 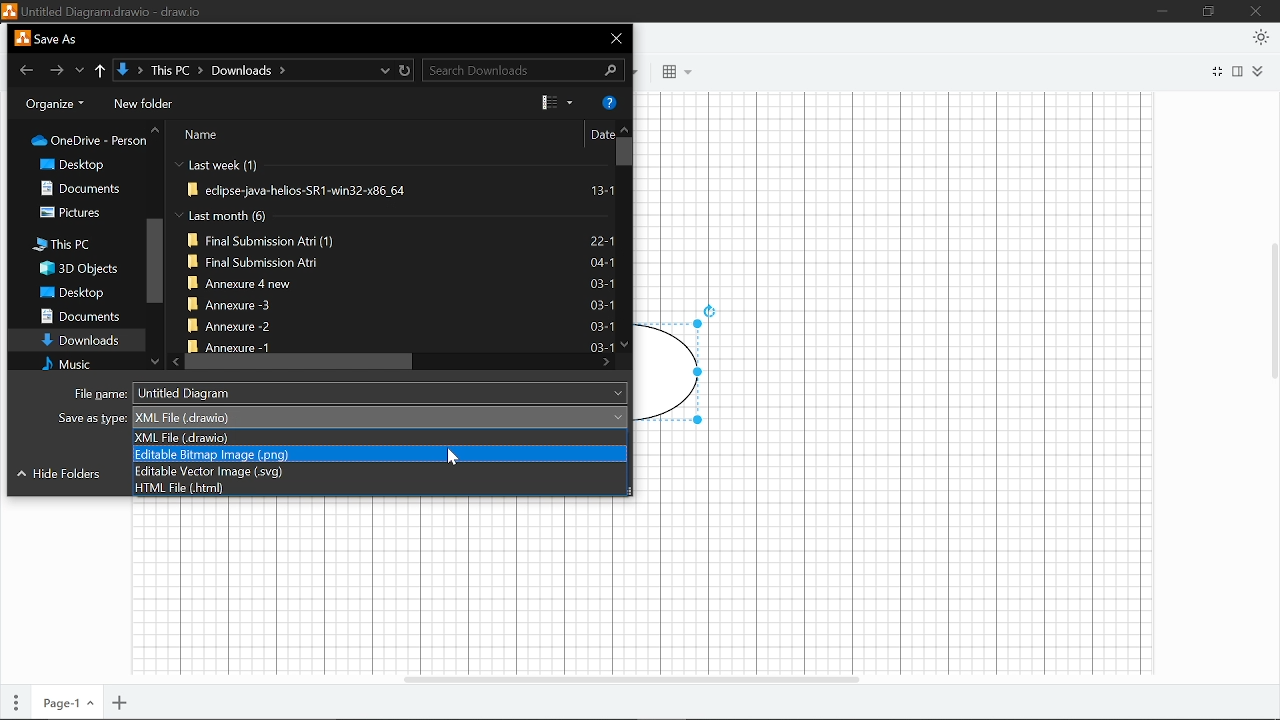 What do you see at coordinates (392, 253) in the screenshot?
I see `Files in "Downloads"` at bounding box center [392, 253].